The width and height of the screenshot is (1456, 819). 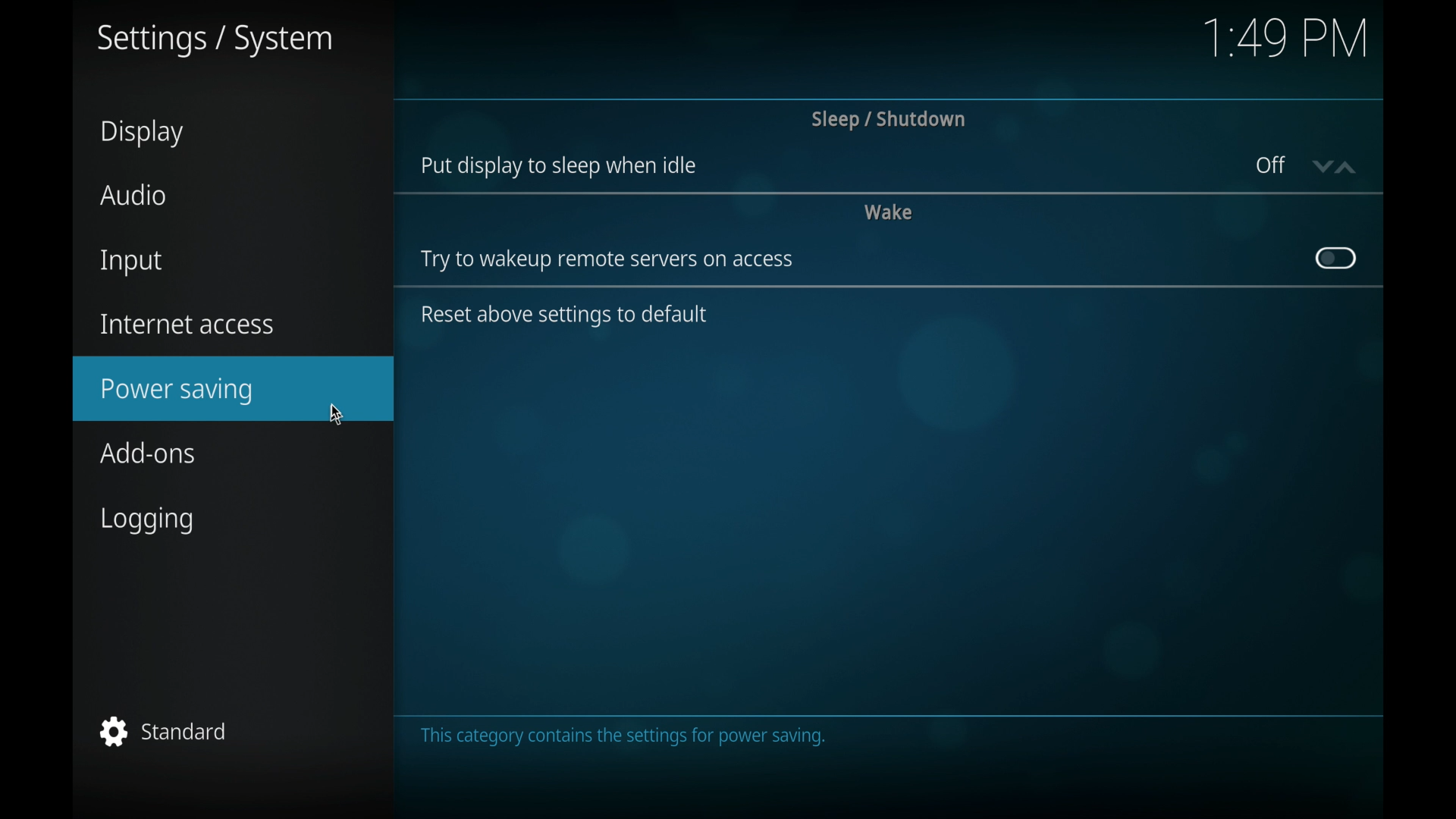 What do you see at coordinates (163, 731) in the screenshot?
I see `standard` at bounding box center [163, 731].